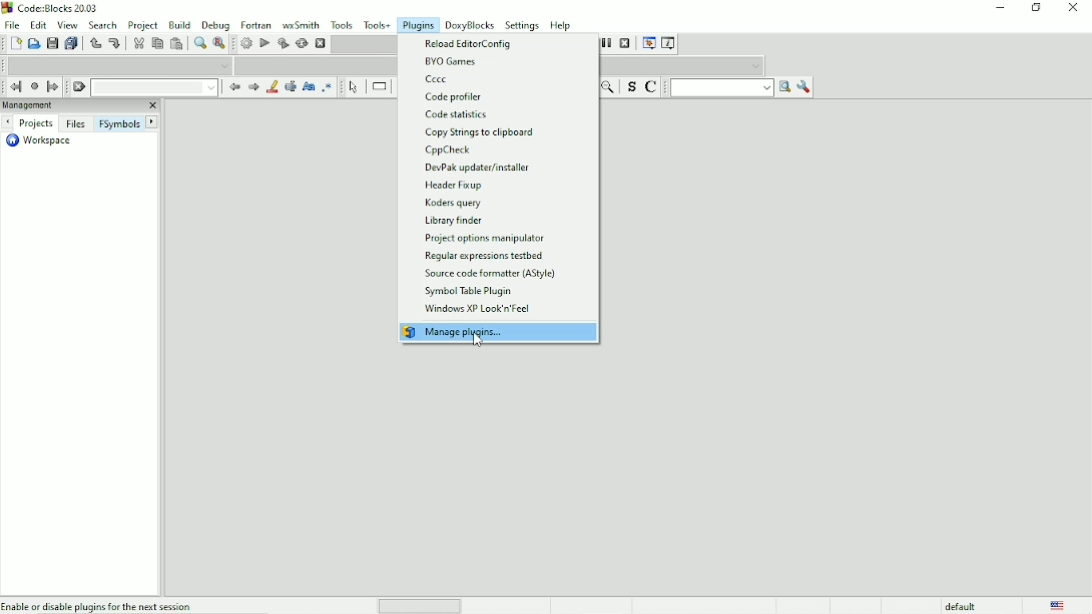 The width and height of the screenshot is (1092, 614). I want to click on Restore down, so click(1036, 8).